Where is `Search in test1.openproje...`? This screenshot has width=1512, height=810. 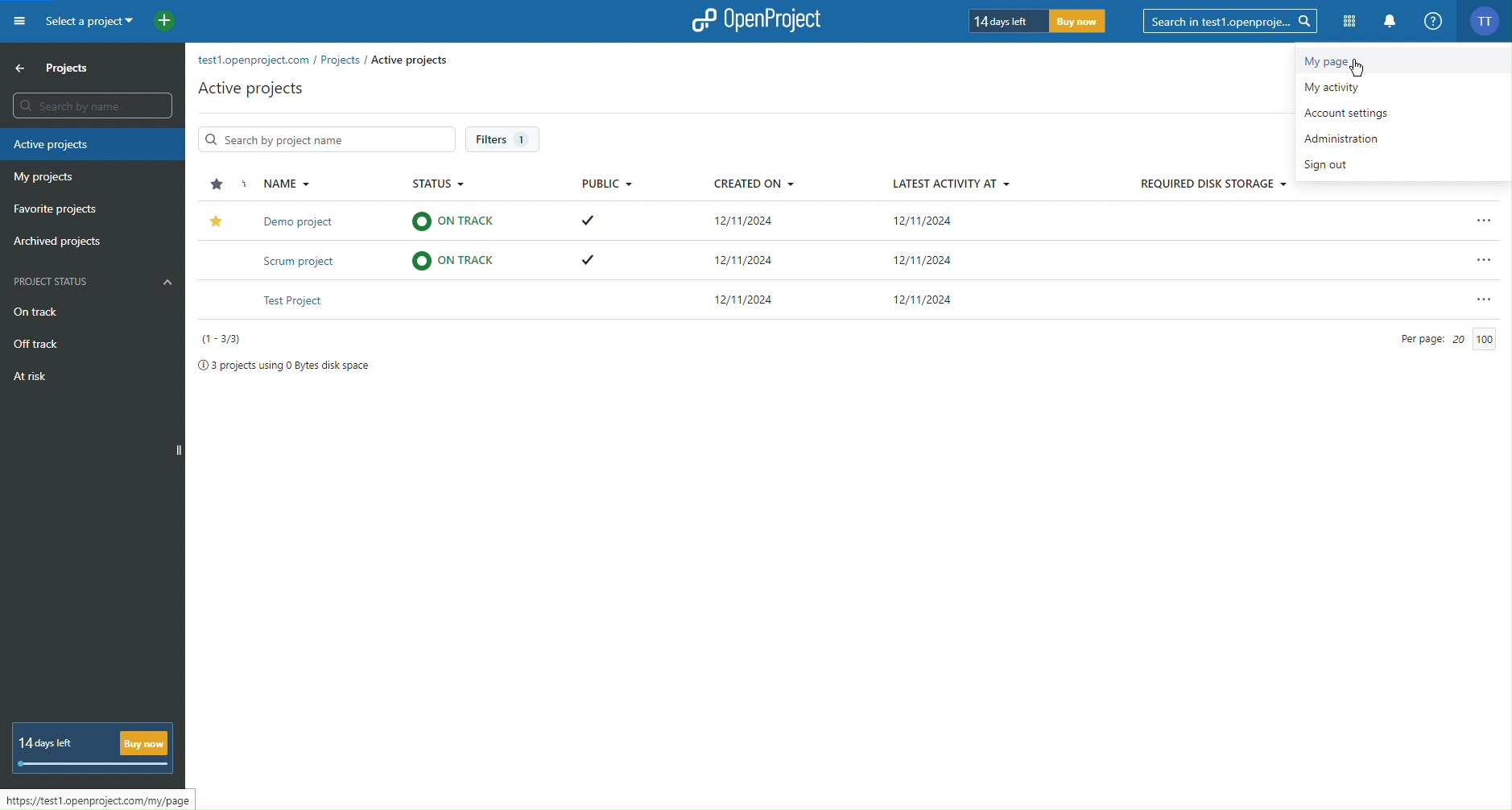
Search in test1.openproje... is located at coordinates (1235, 22).